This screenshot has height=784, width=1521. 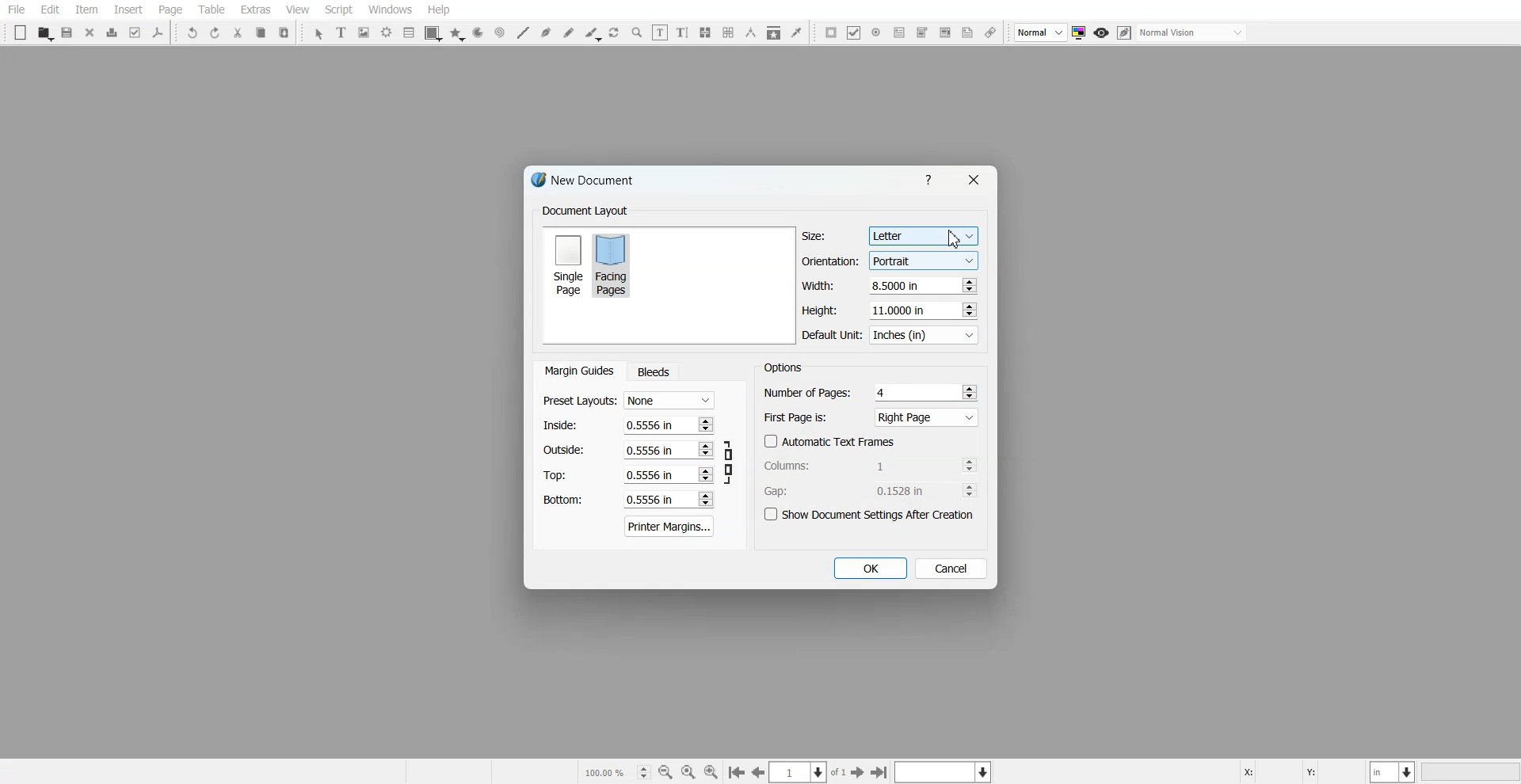 I want to click on Printer Margins, so click(x=670, y=526).